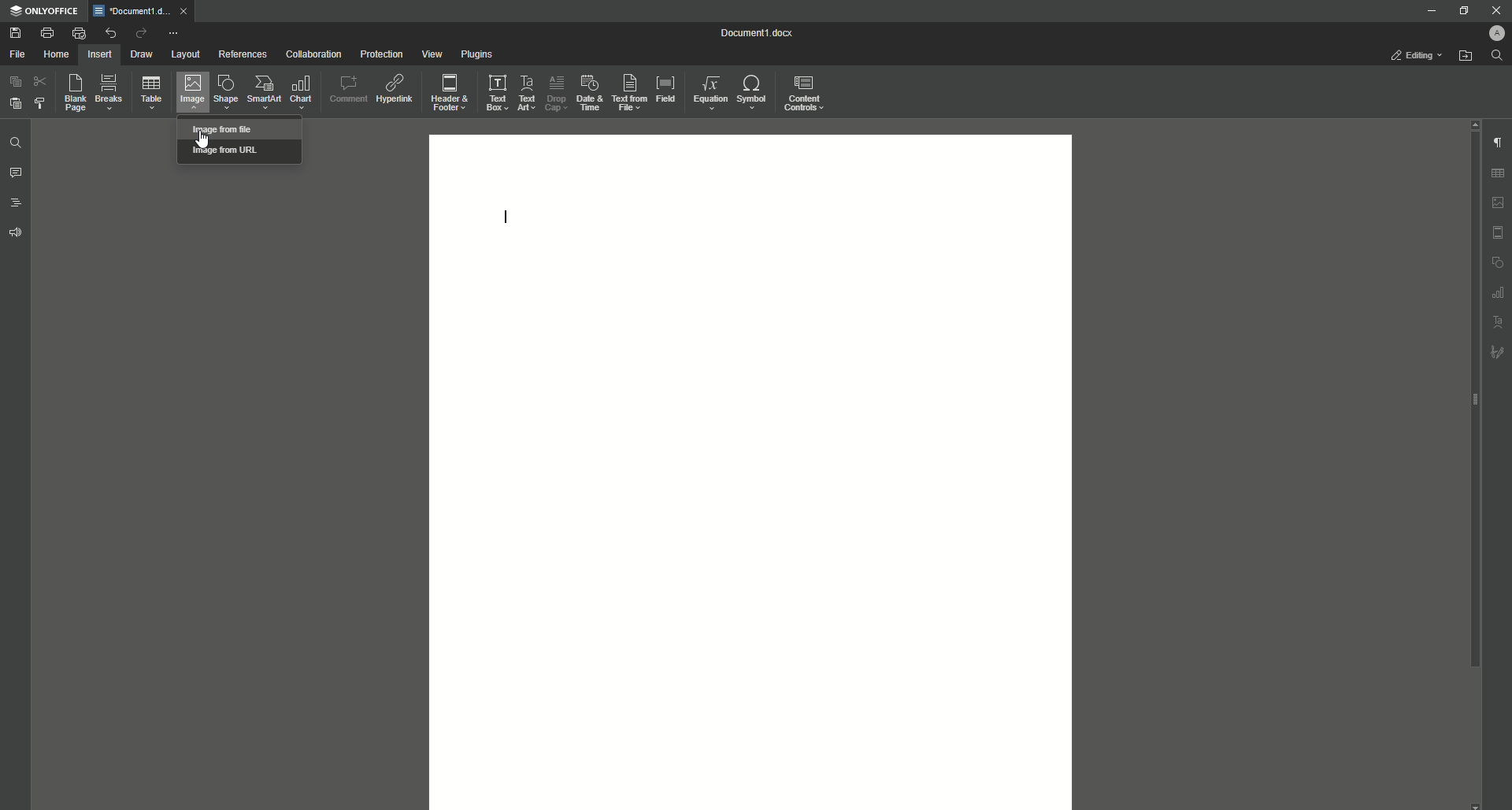 The image size is (1512, 810). I want to click on ONLYOFFICE, so click(43, 12).